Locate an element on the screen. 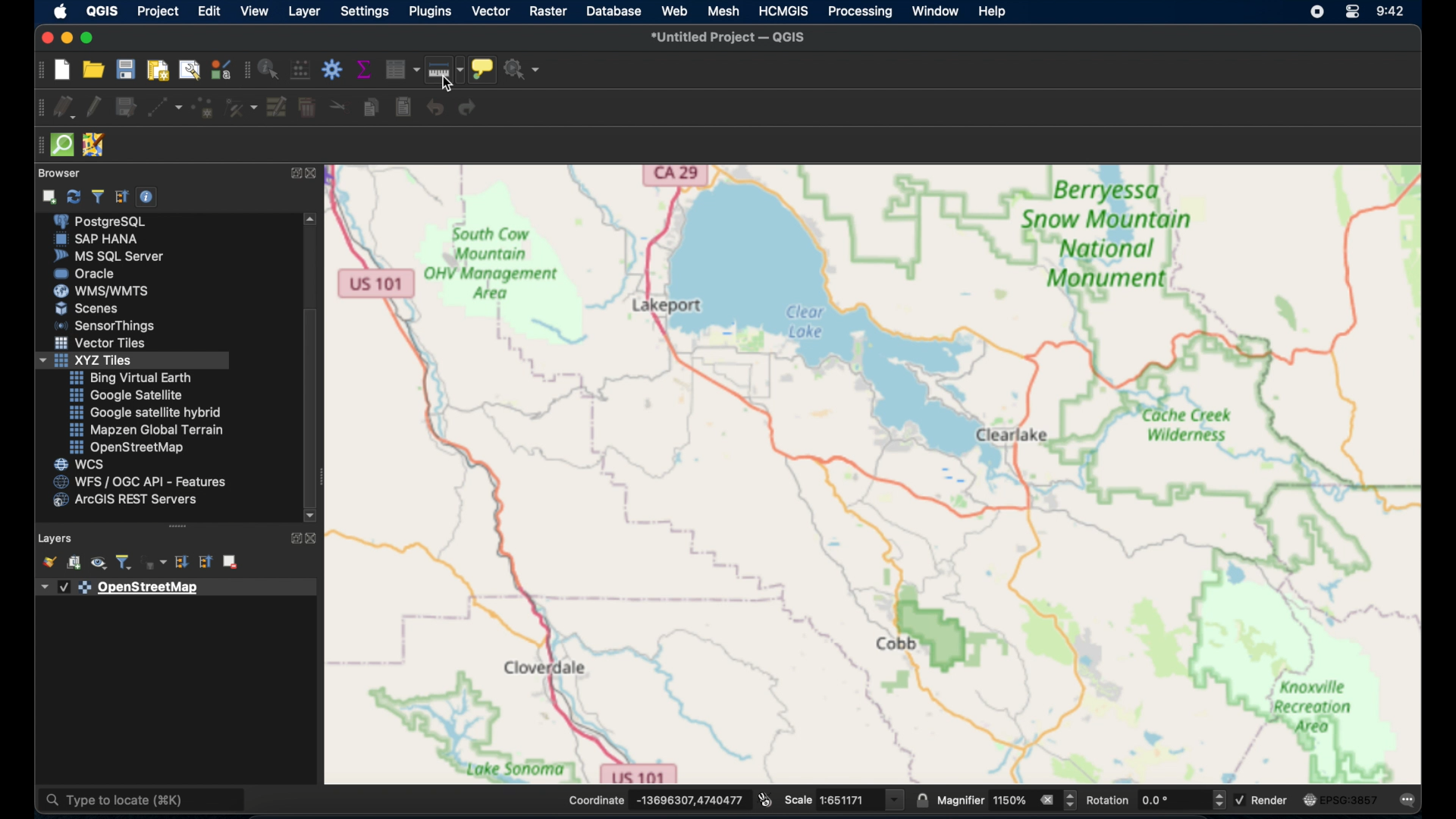 The width and height of the screenshot is (1456, 819). copy features is located at coordinates (369, 108).